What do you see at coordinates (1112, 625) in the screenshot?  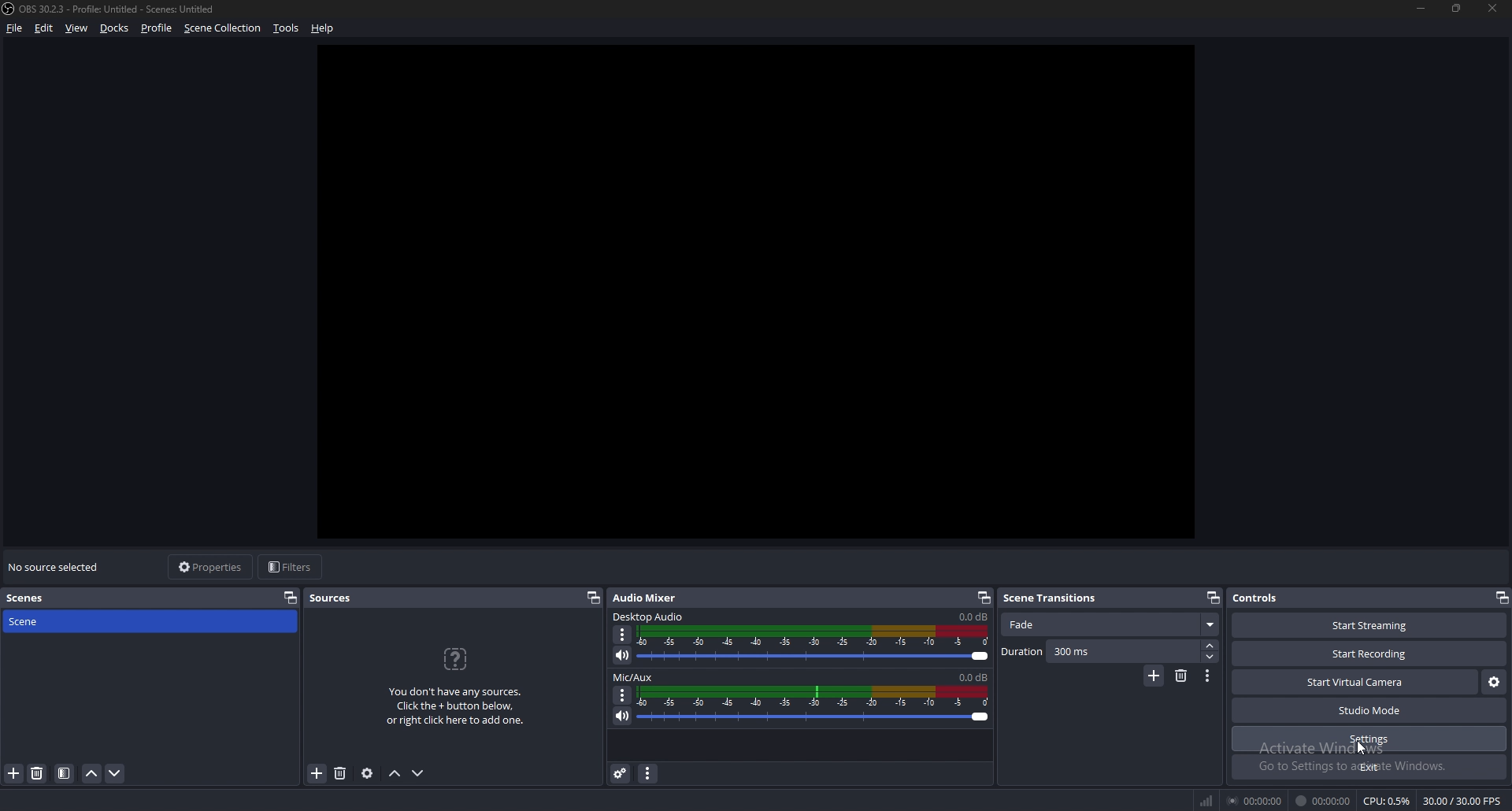 I see `fade` at bounding box center [1112, 625].